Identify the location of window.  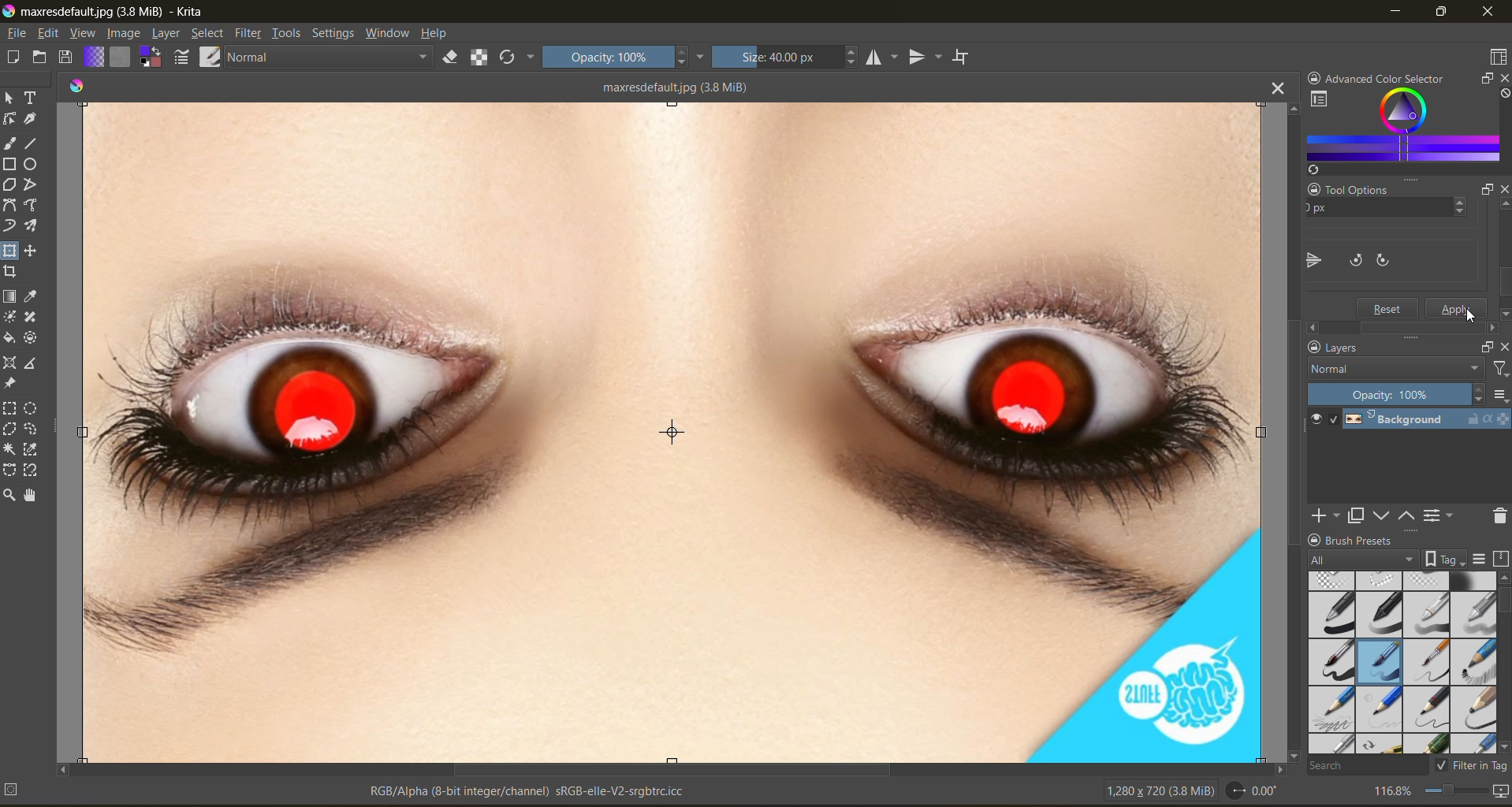
(389, 32).